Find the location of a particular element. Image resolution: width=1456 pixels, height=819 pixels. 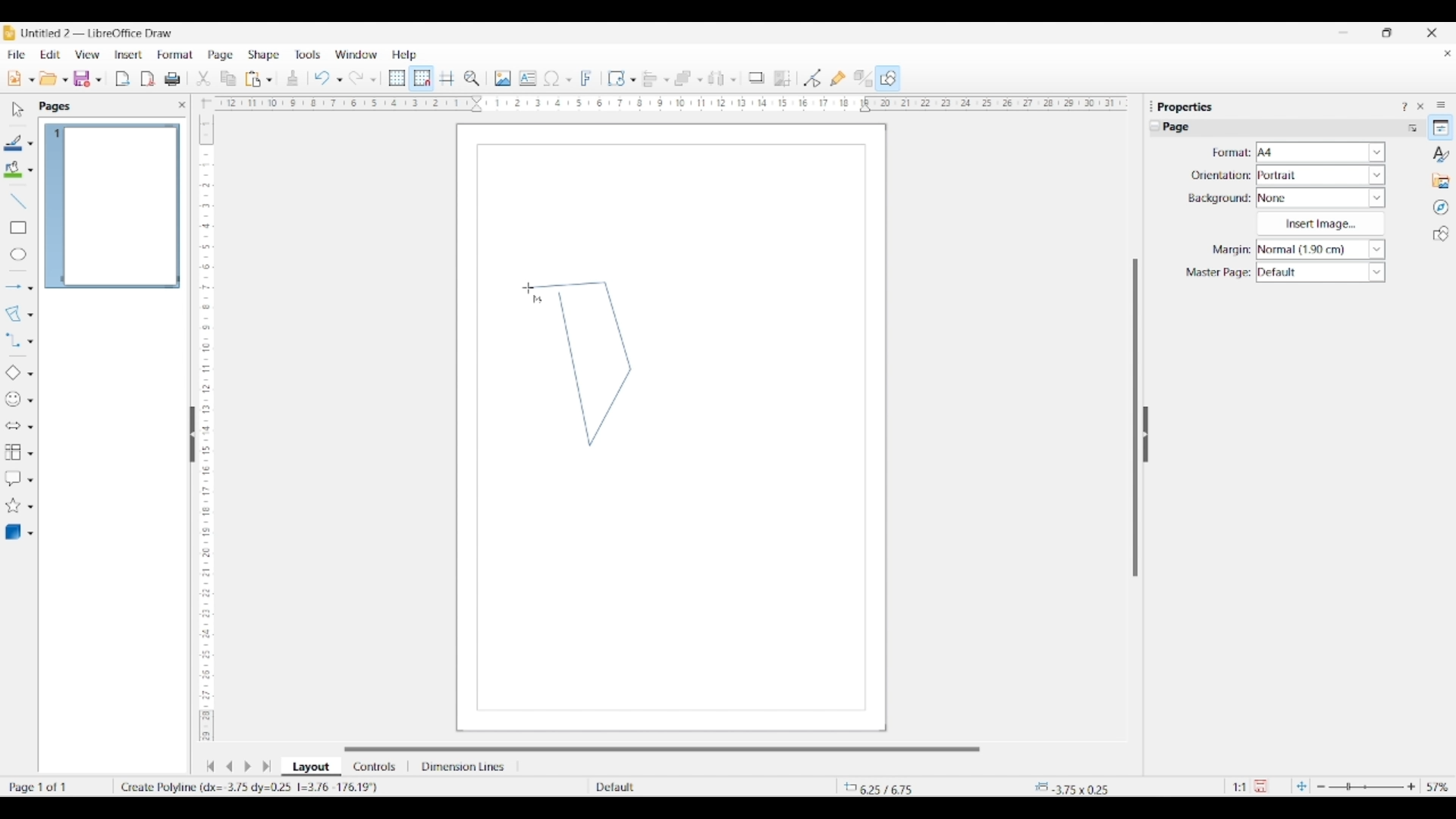

Help is located at coordinates (405, 55).